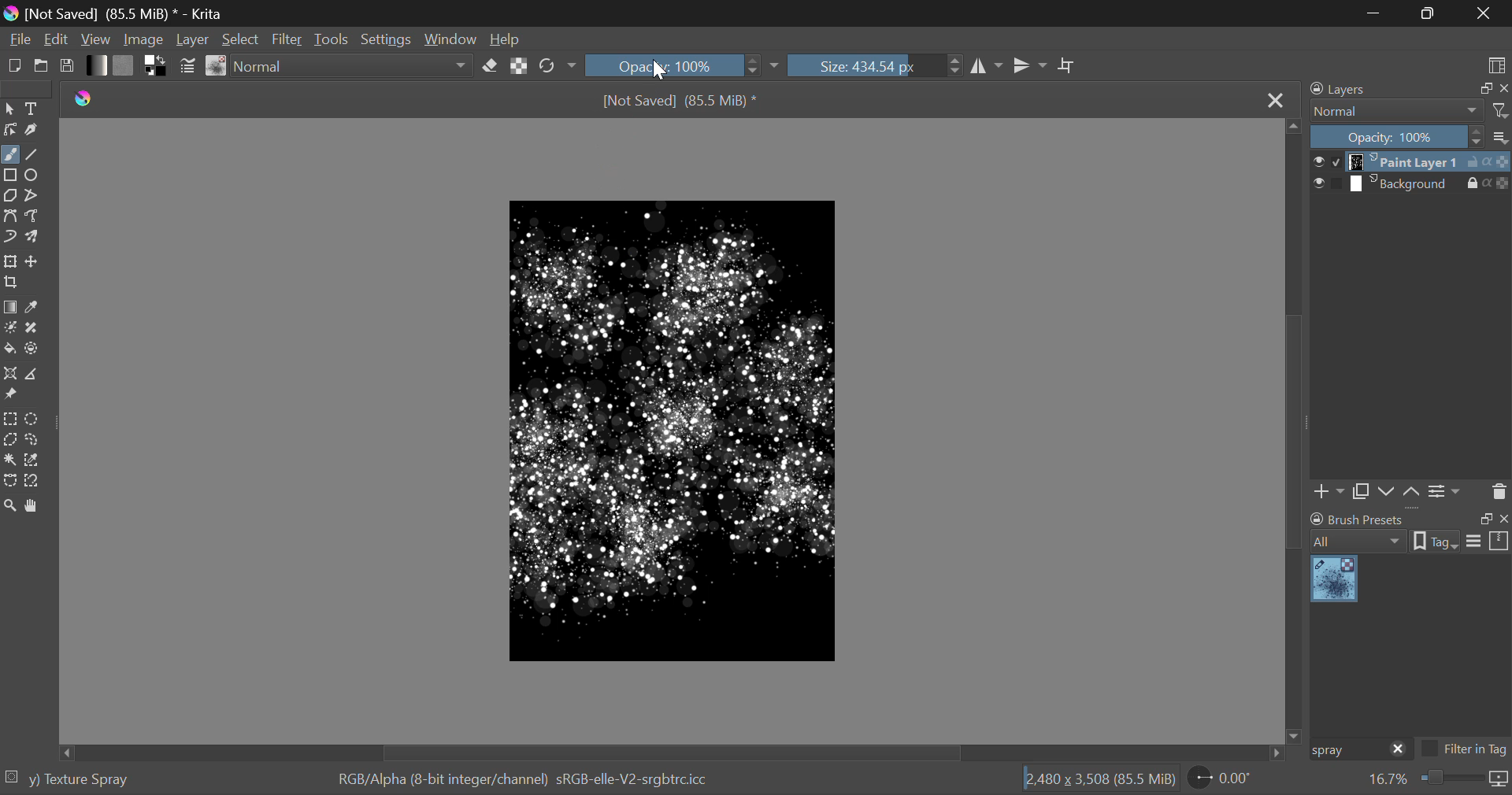  What do you see at coordinates (1399, 750) in the screenshot?
I see `close` at bounding box center [1399, 750].